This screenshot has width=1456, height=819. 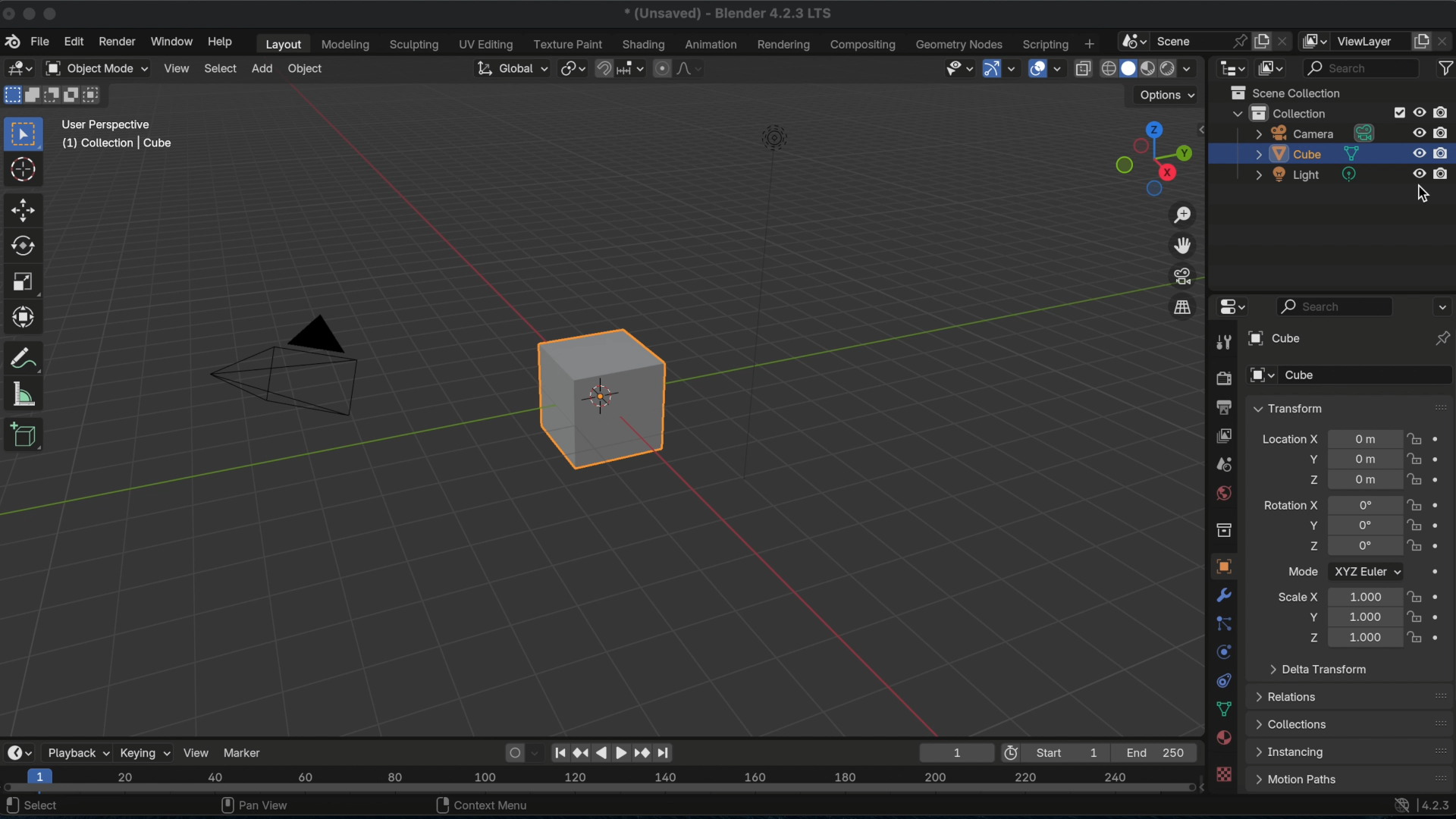 I want to click on scripting, so click(x=1044, y=44).